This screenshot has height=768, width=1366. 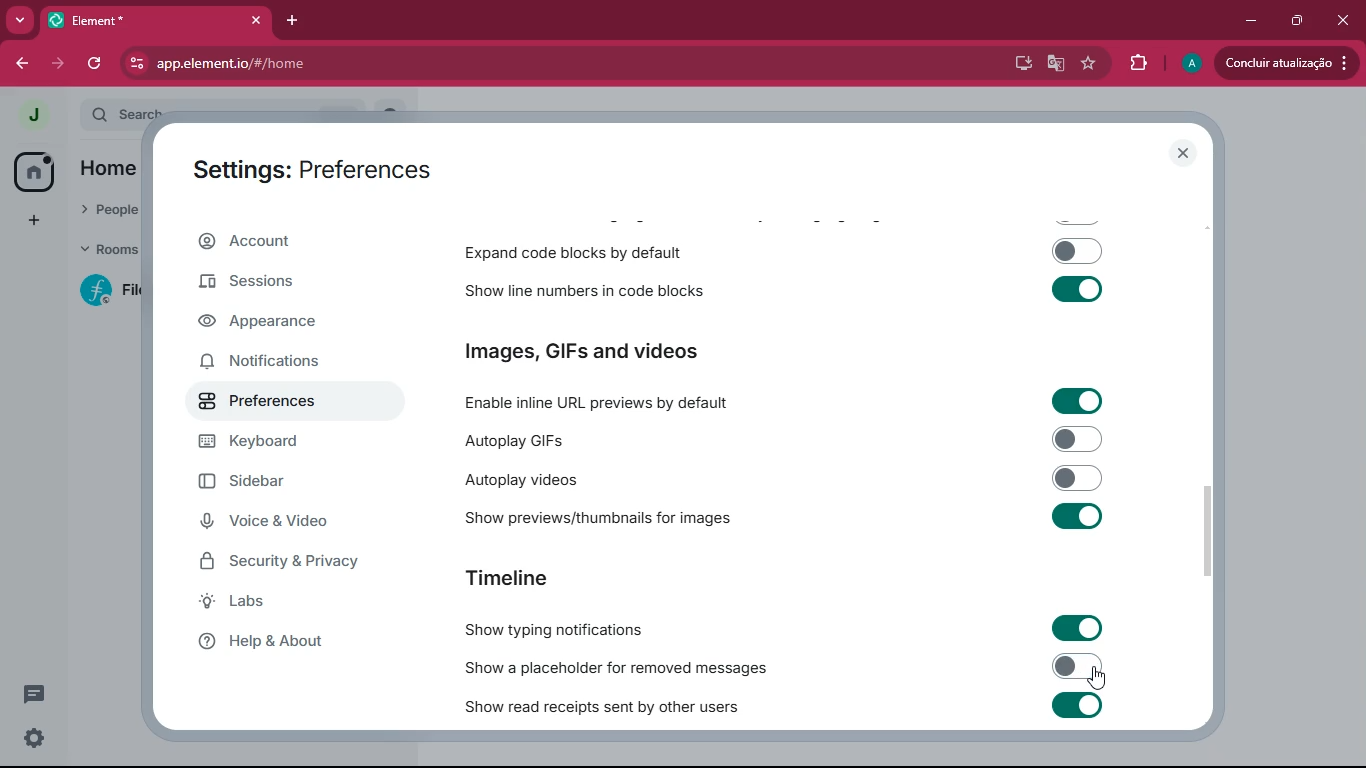 I want to click on show previews/thumbnails for images, so click(x=601, y=517).